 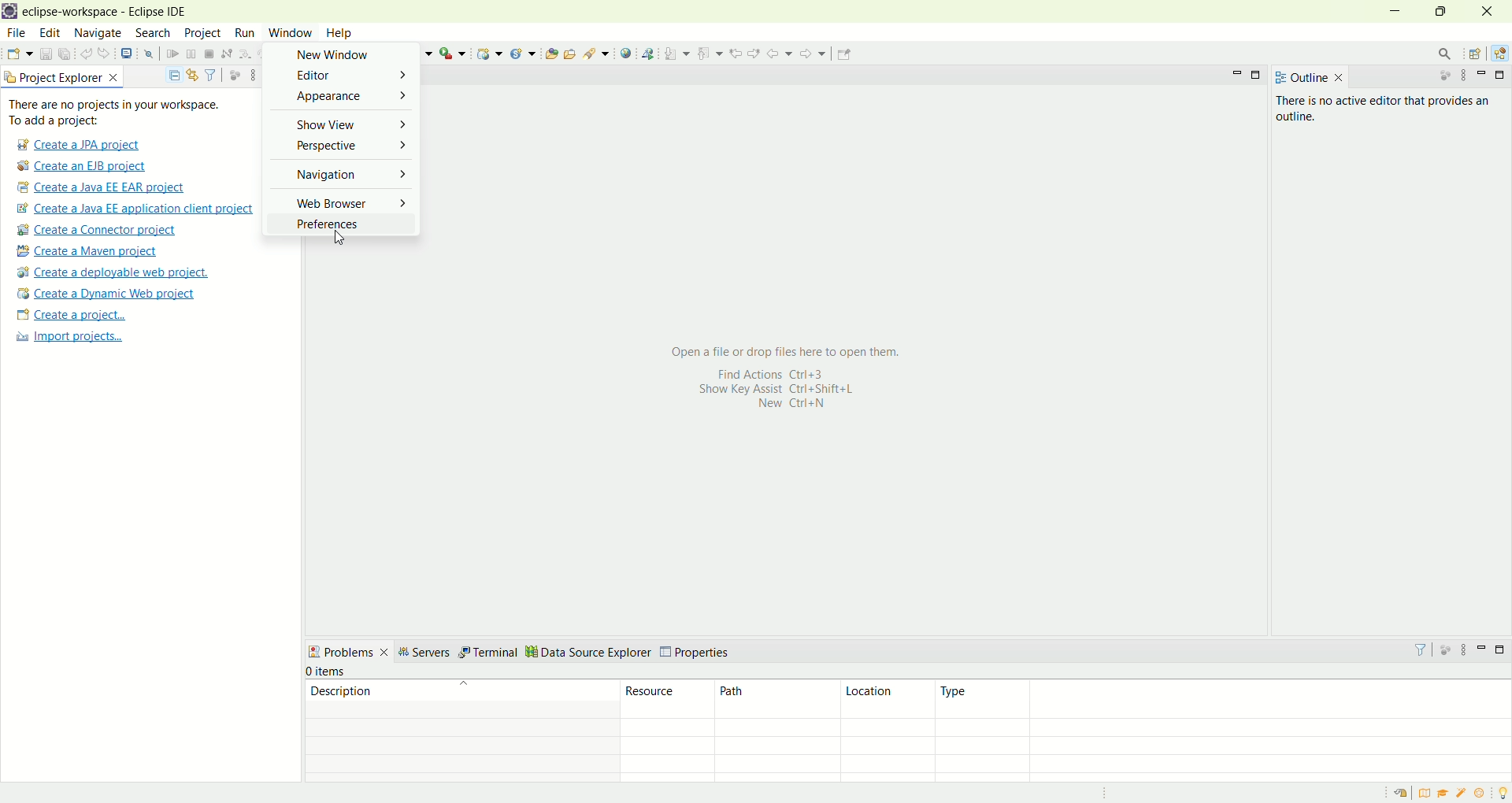 I want to click on terminal, so click(x=490, y=651).